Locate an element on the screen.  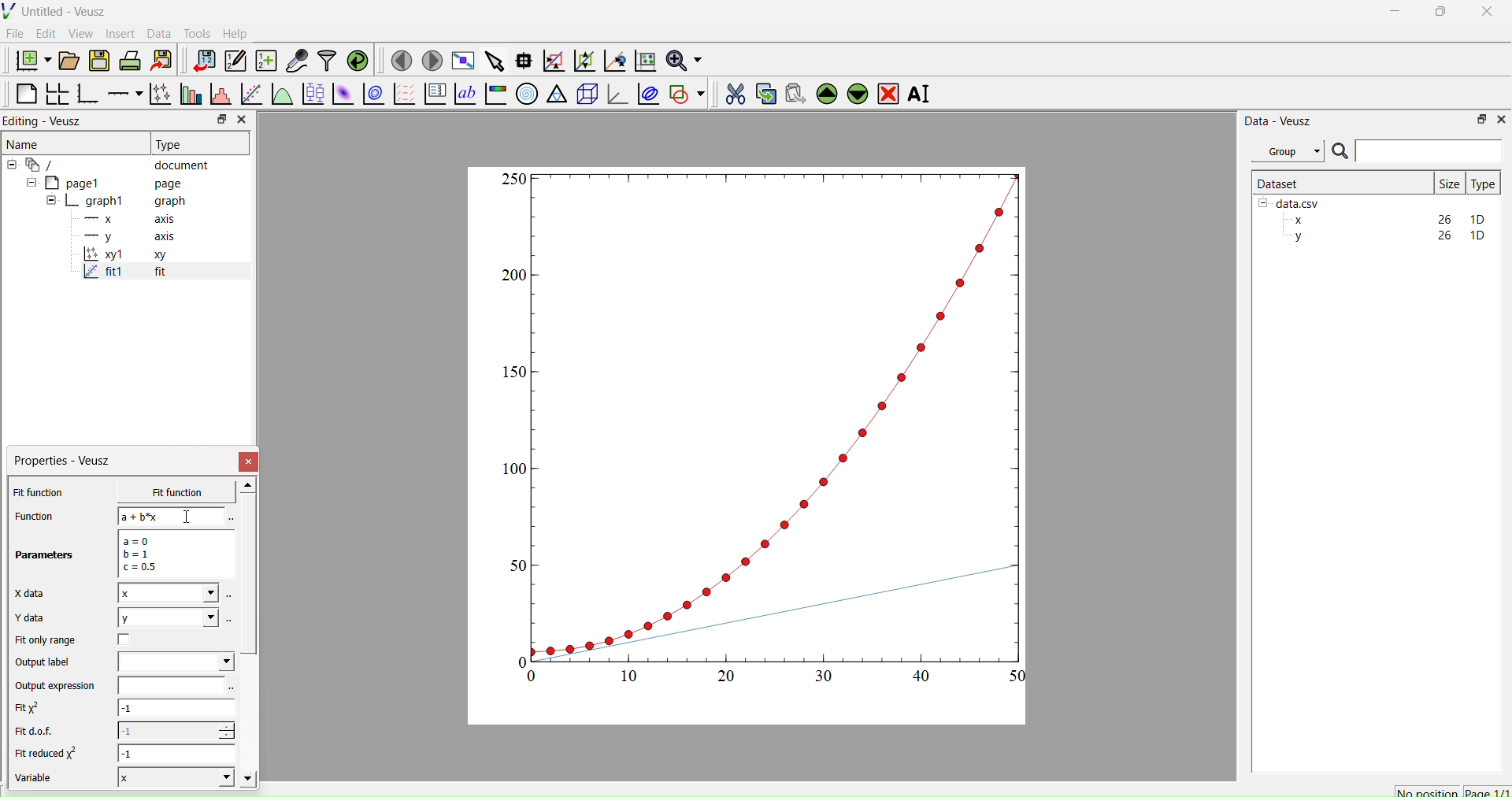
Arrange graphs in grid is located at coordinates (57, 95).